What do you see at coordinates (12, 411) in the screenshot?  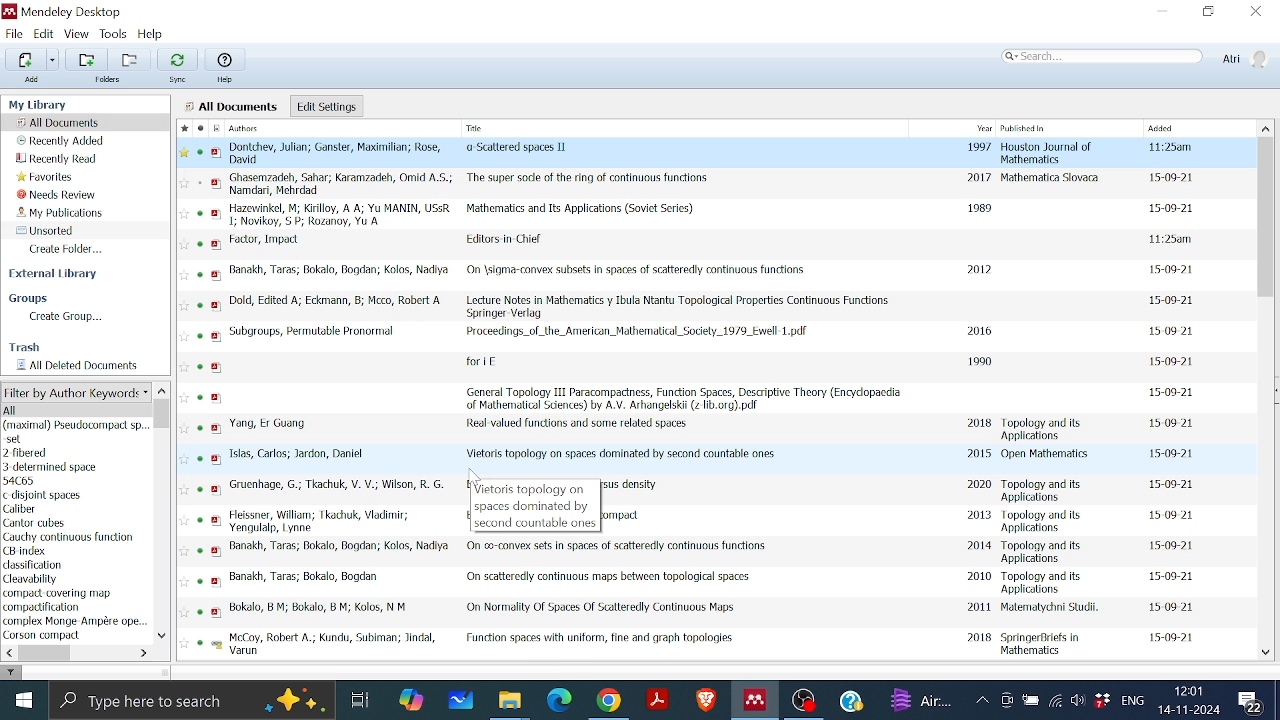 I see `all author keyword list` at bounding box center [12, 411].